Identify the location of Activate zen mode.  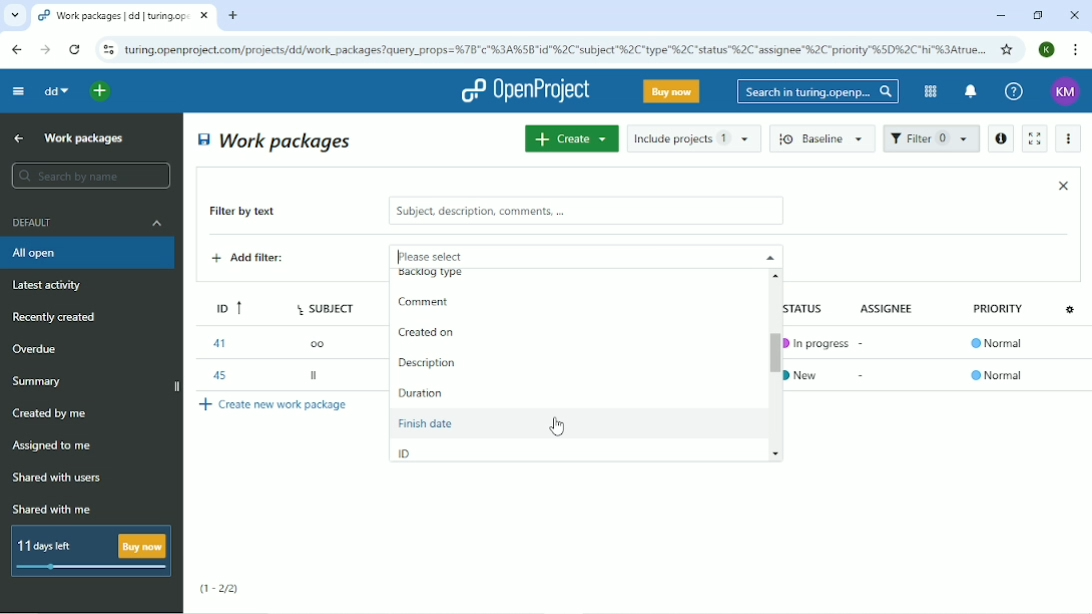
(1033, 138).